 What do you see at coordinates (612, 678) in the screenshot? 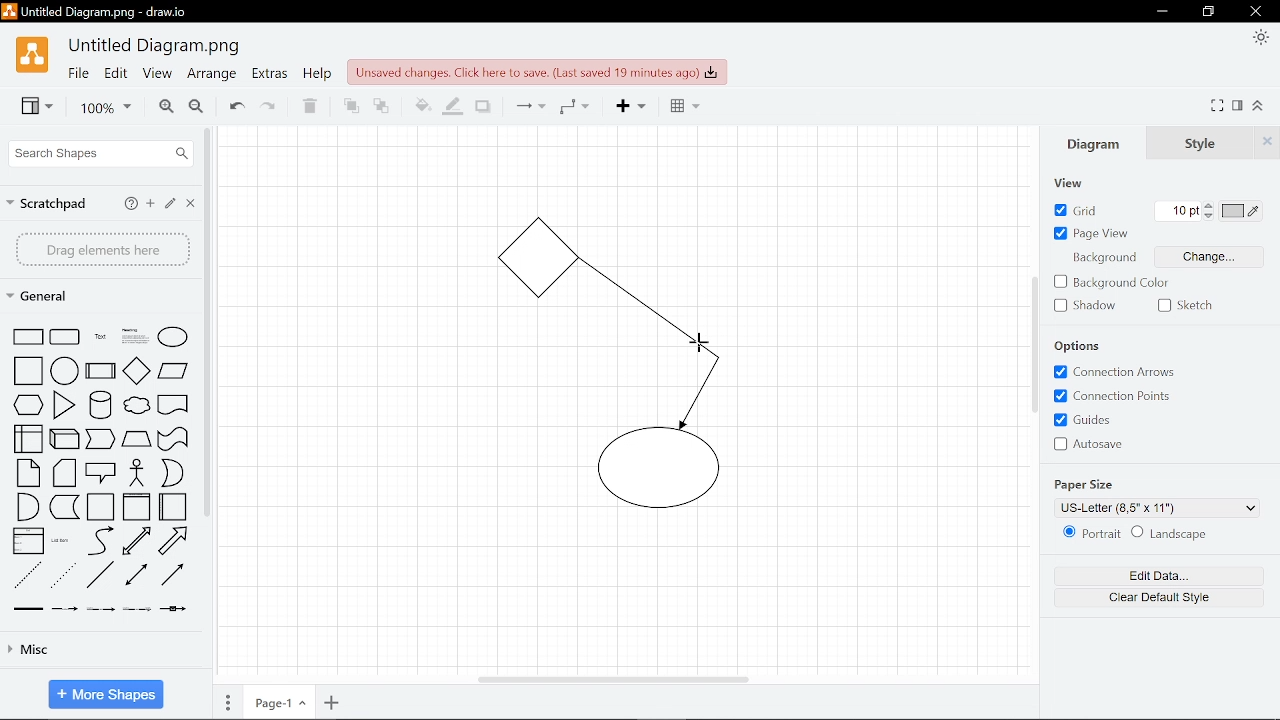
I see `horizontal scrolling bar` at bounding box center [612, 678].